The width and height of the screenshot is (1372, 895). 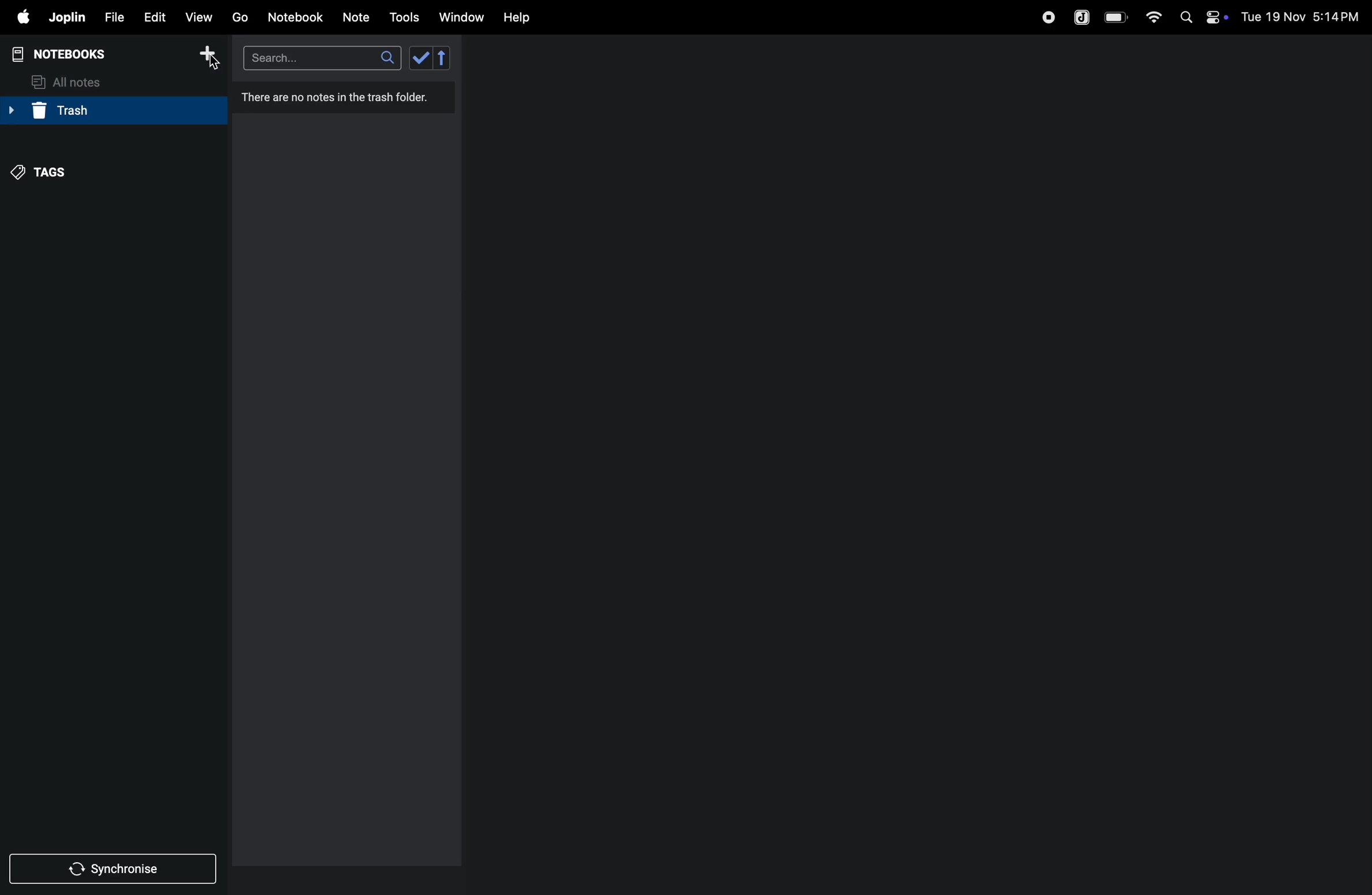 What do you see at coordinates (215, 64) in the screenshot?
I see `Cursor` at bounding box center [215, 64].